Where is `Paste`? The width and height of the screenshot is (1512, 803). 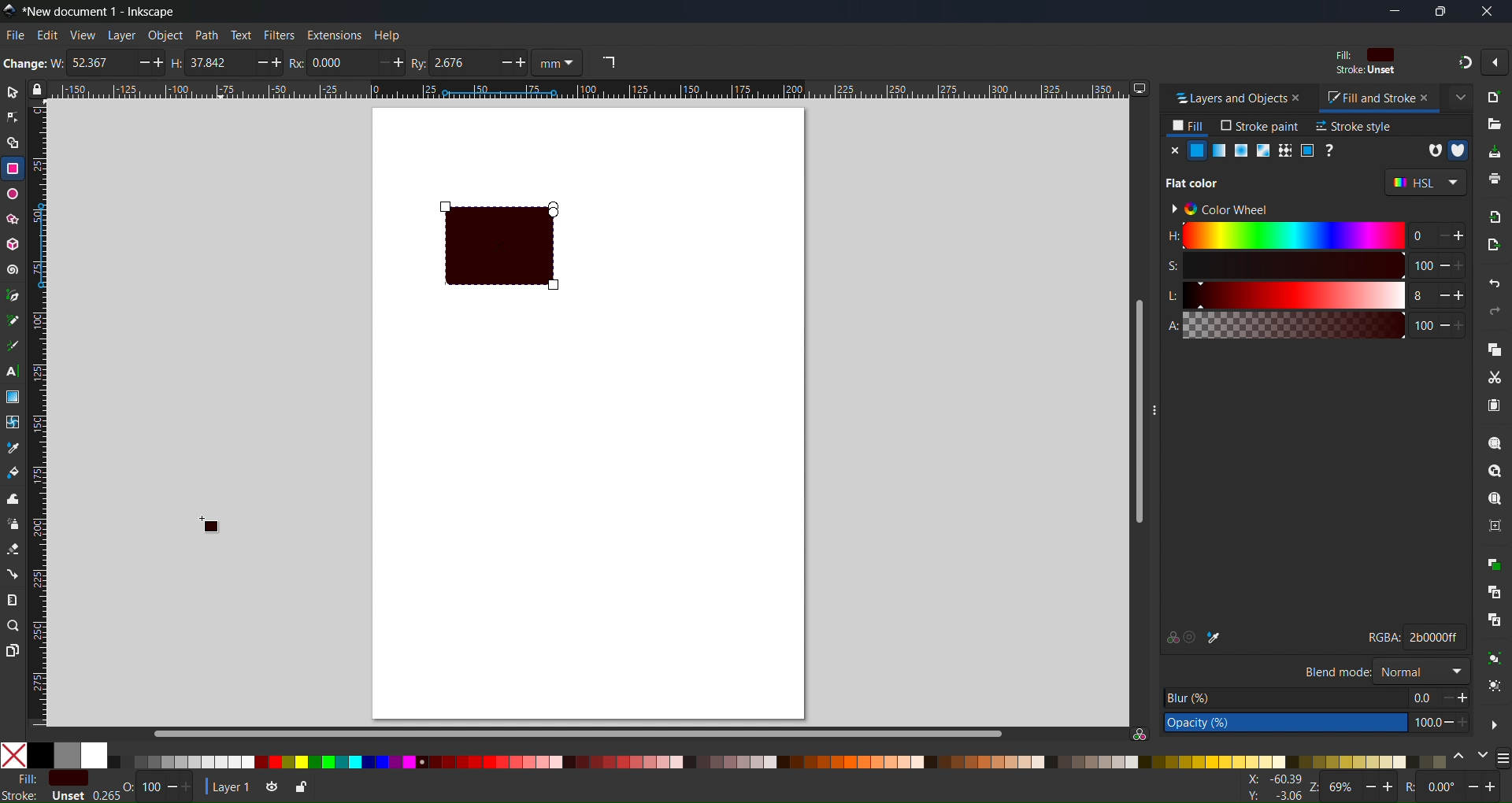
Paste is located at coordinates (1494, 407).